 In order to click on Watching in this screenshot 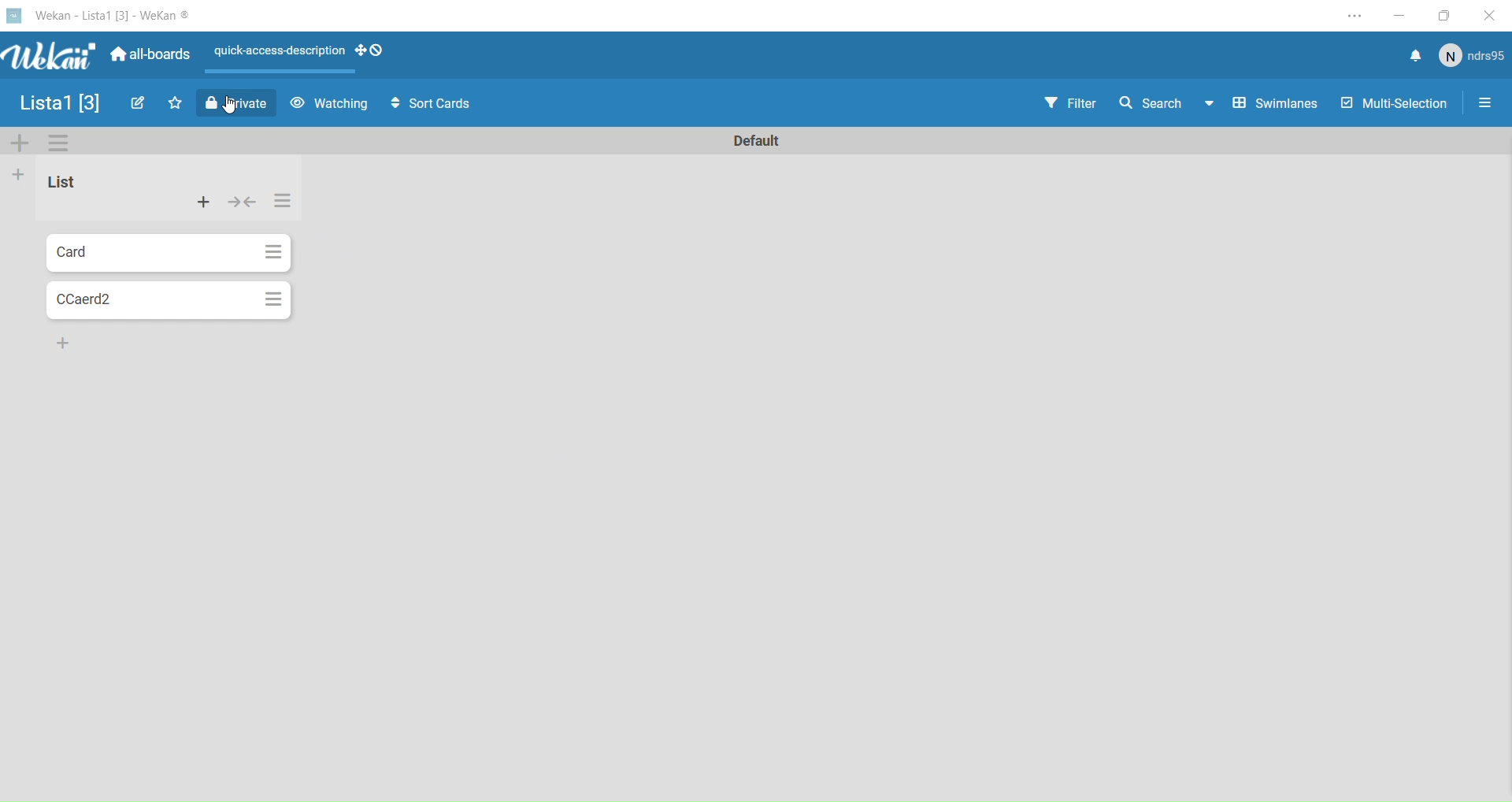, I will do `click(328, 105)`.